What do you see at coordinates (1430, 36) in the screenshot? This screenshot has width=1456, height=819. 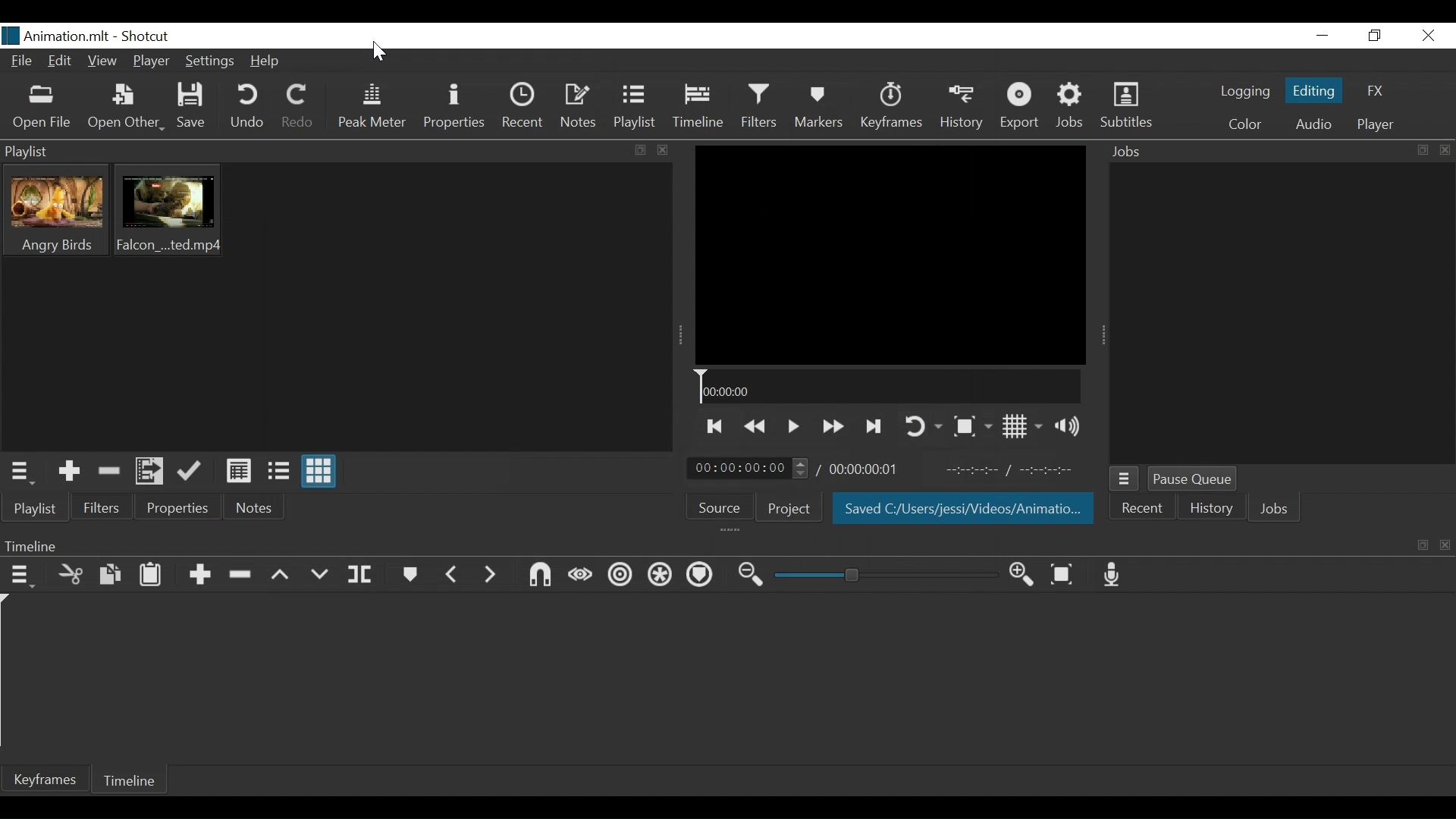 I see `Close` at bounding box center [1430, 36].